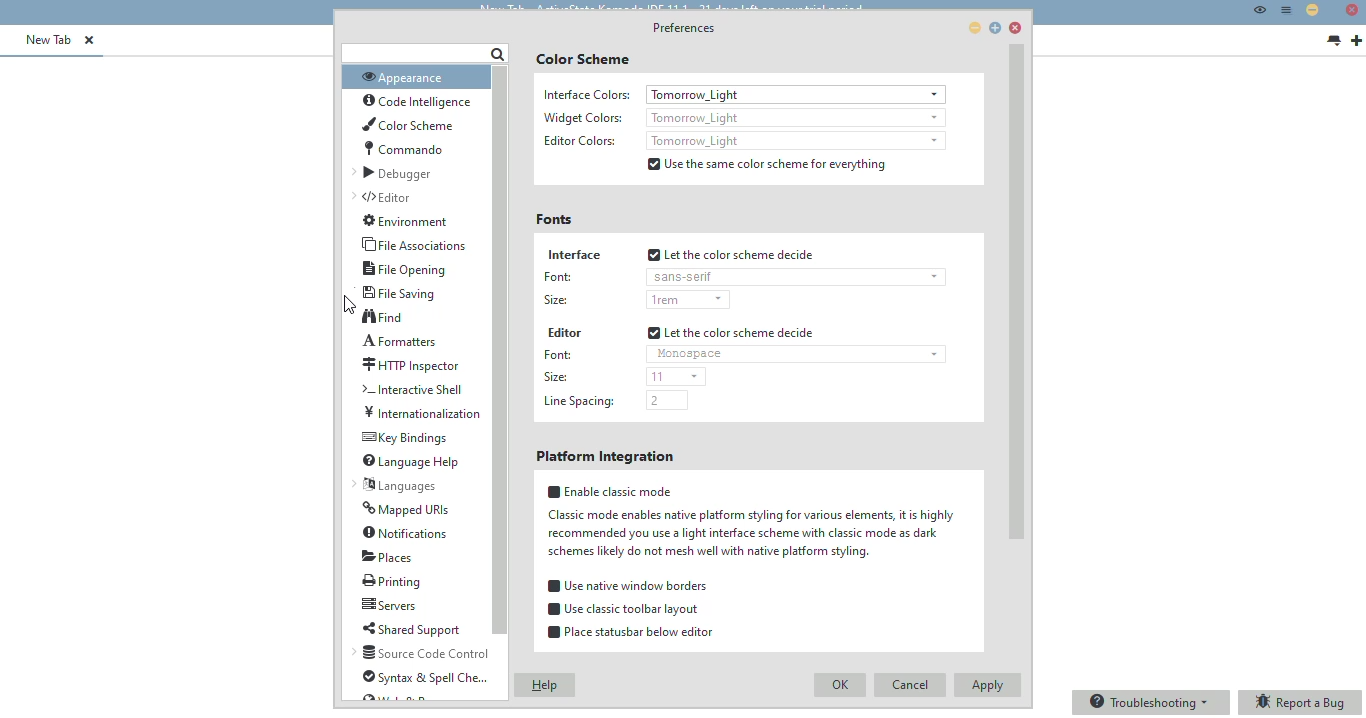 The width and height of the screenshot is (1366, 718). What do you see at coordinates (406, 221) in the screenshot?
I see `environment` at bounding box center [406, 221].